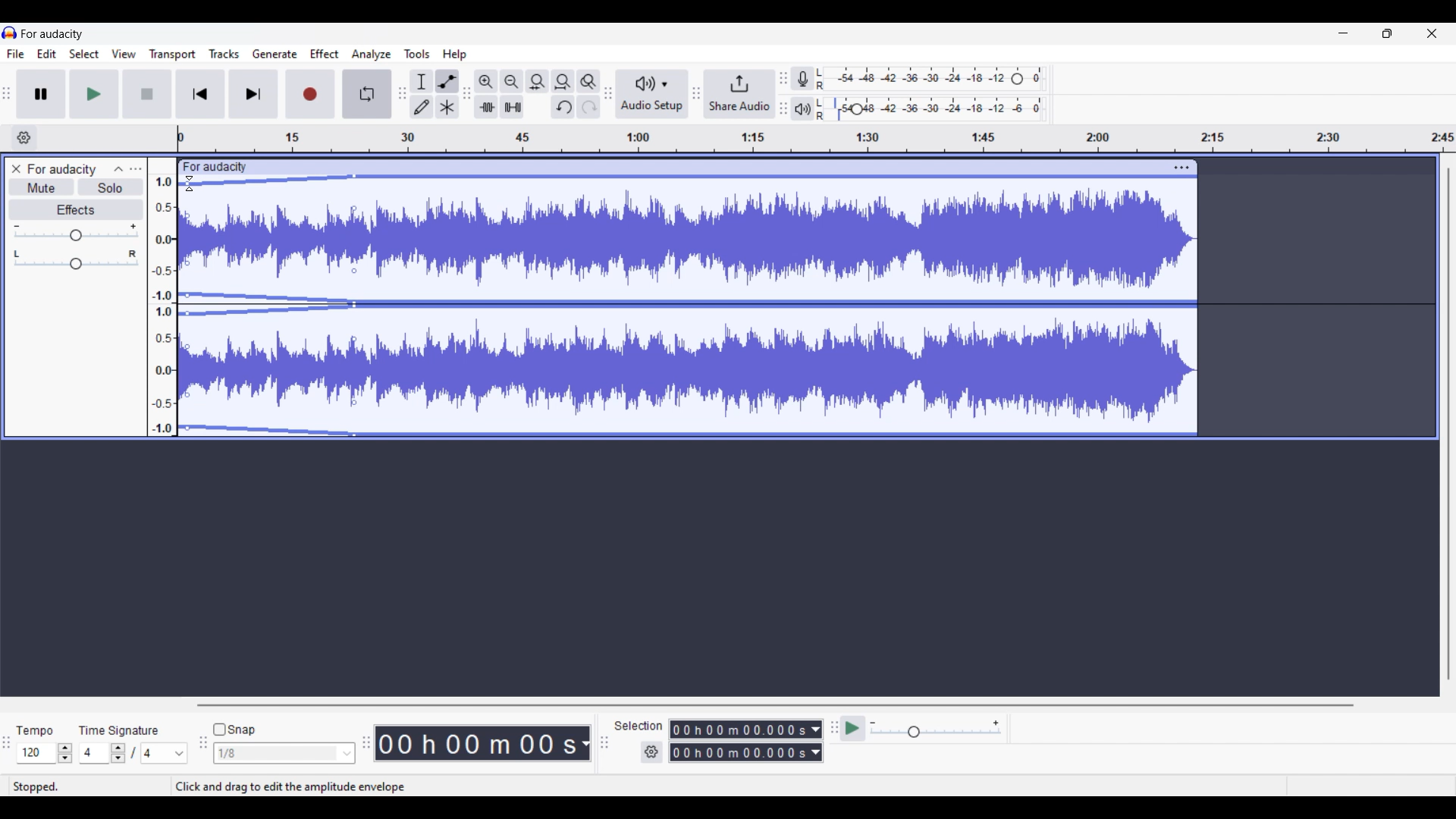  I want to click on for audacity, so click(215, 168).